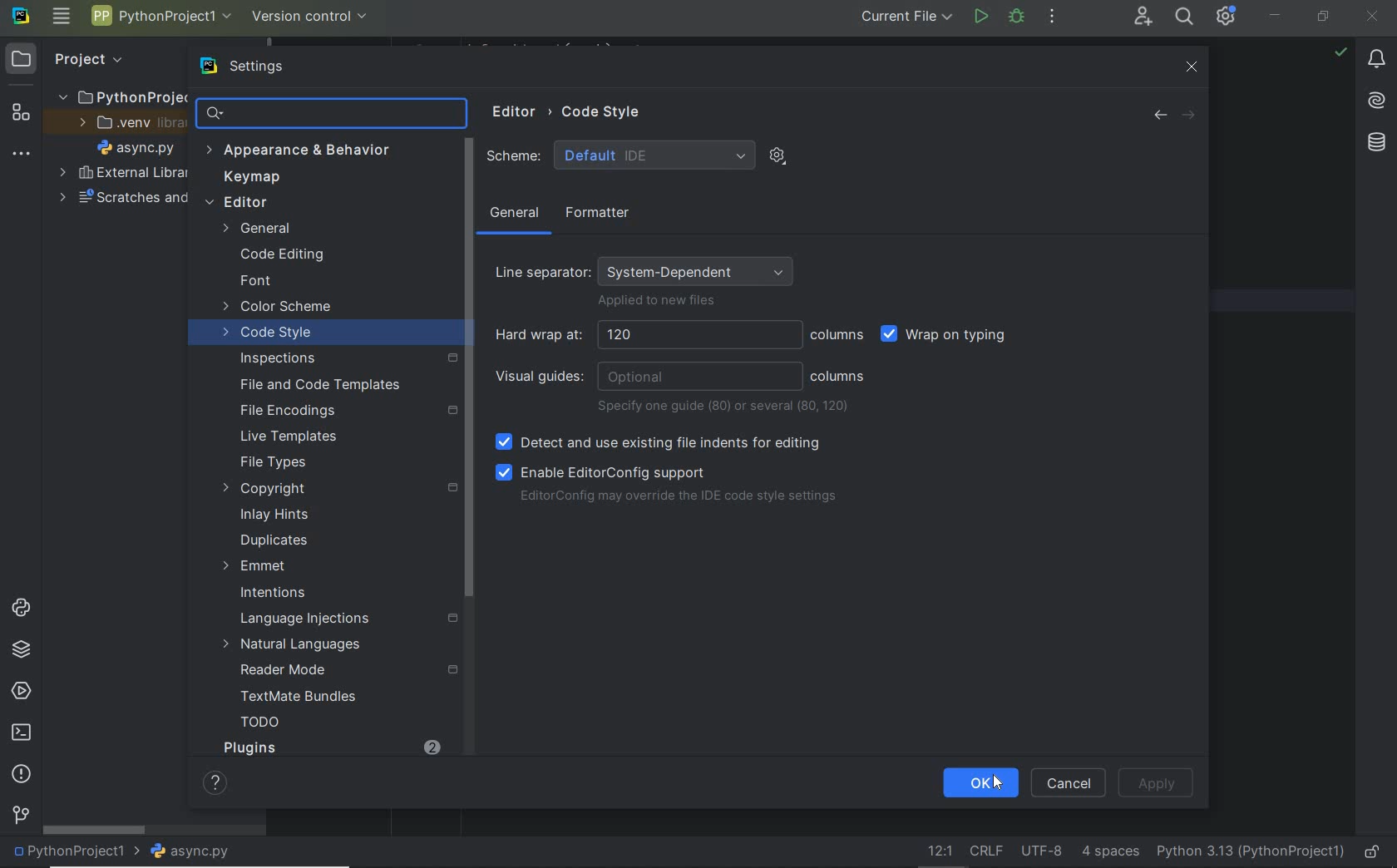 The height and width of the screenshot is (868, 1397). I want to click on Applied to new files, so click(657, 303).